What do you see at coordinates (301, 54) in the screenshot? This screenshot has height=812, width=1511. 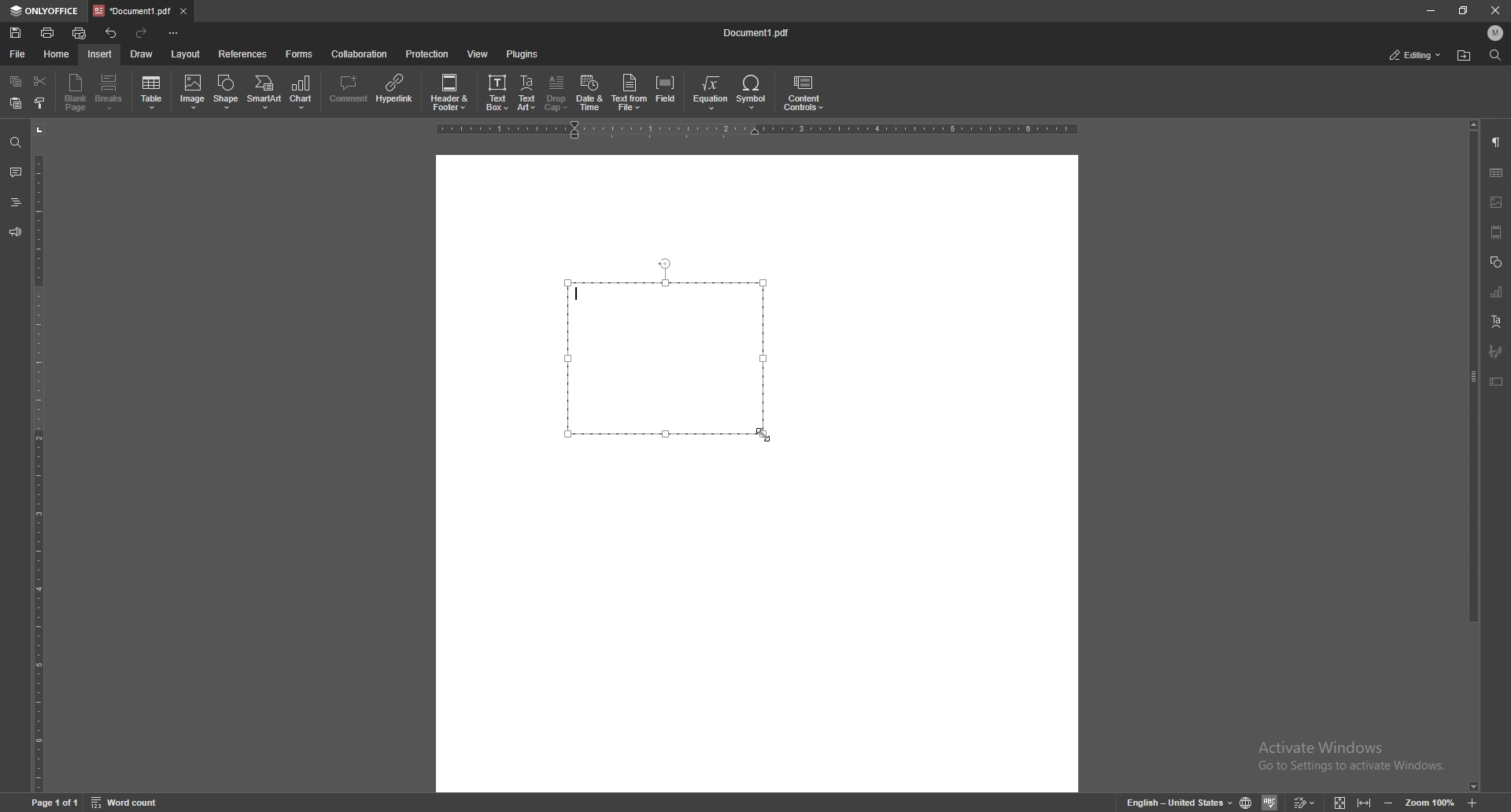 I see `forms` at bounding box center [301, 54].